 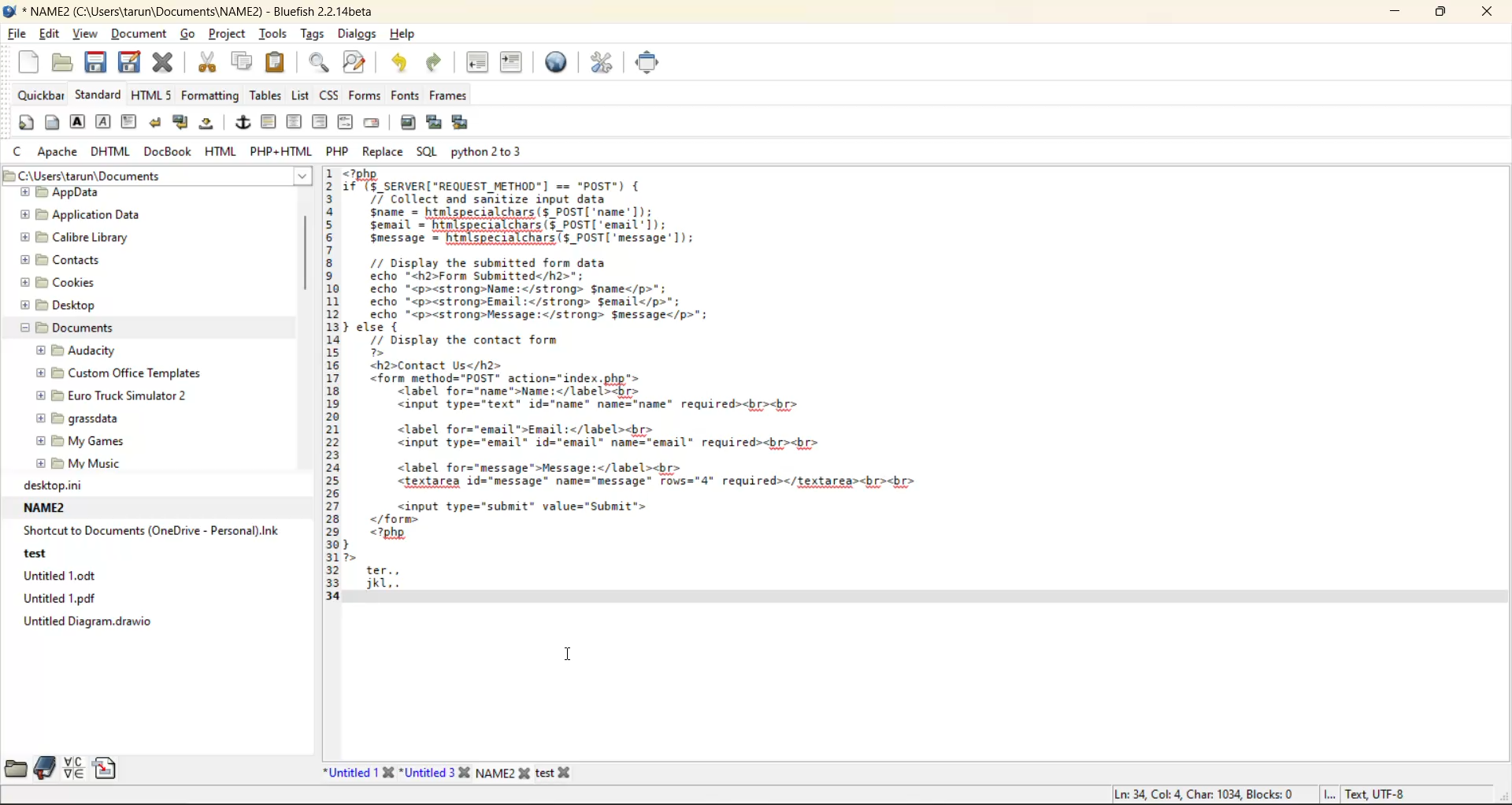 I want to click on bookmarks, so click(x=43, y=766).